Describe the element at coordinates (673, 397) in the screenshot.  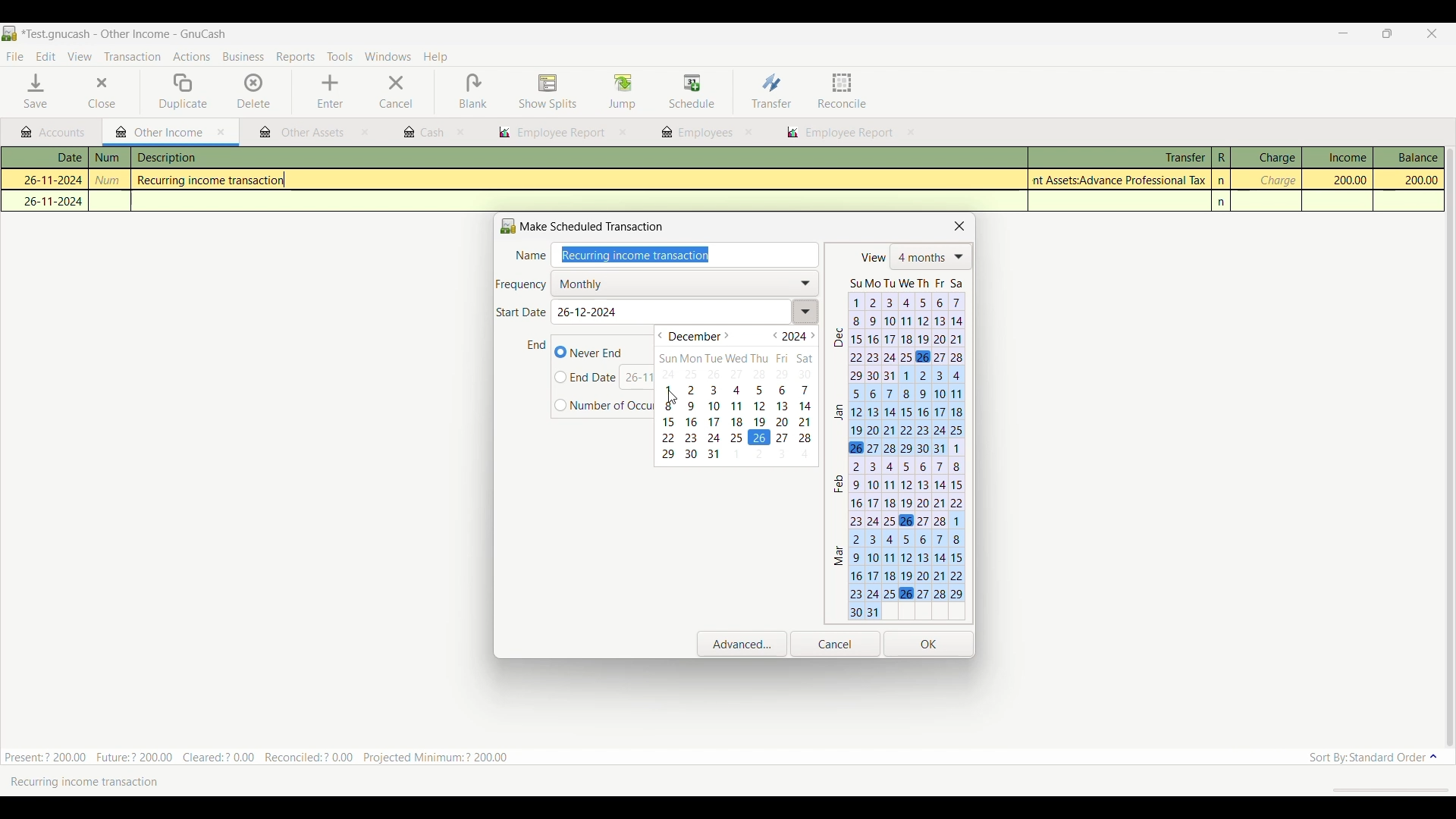
I see `cursor` at that location.